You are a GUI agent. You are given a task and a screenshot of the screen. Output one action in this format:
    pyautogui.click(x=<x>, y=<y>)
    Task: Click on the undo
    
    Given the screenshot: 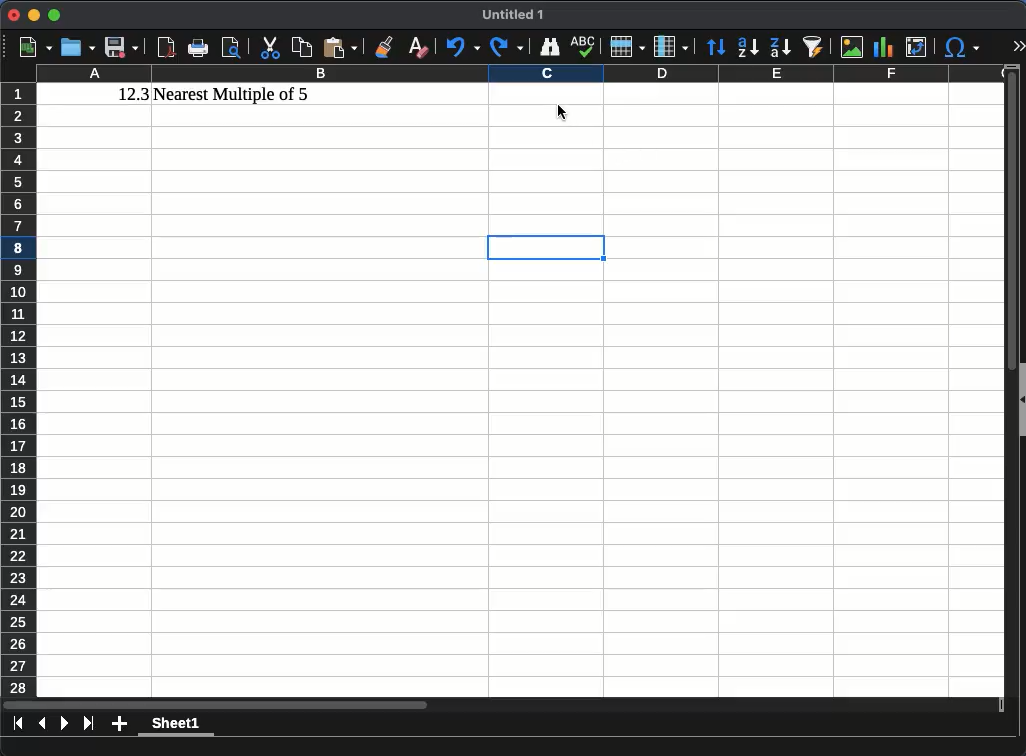 What is the action you would take?
    pyautogui.click(x=462, y=48)
    